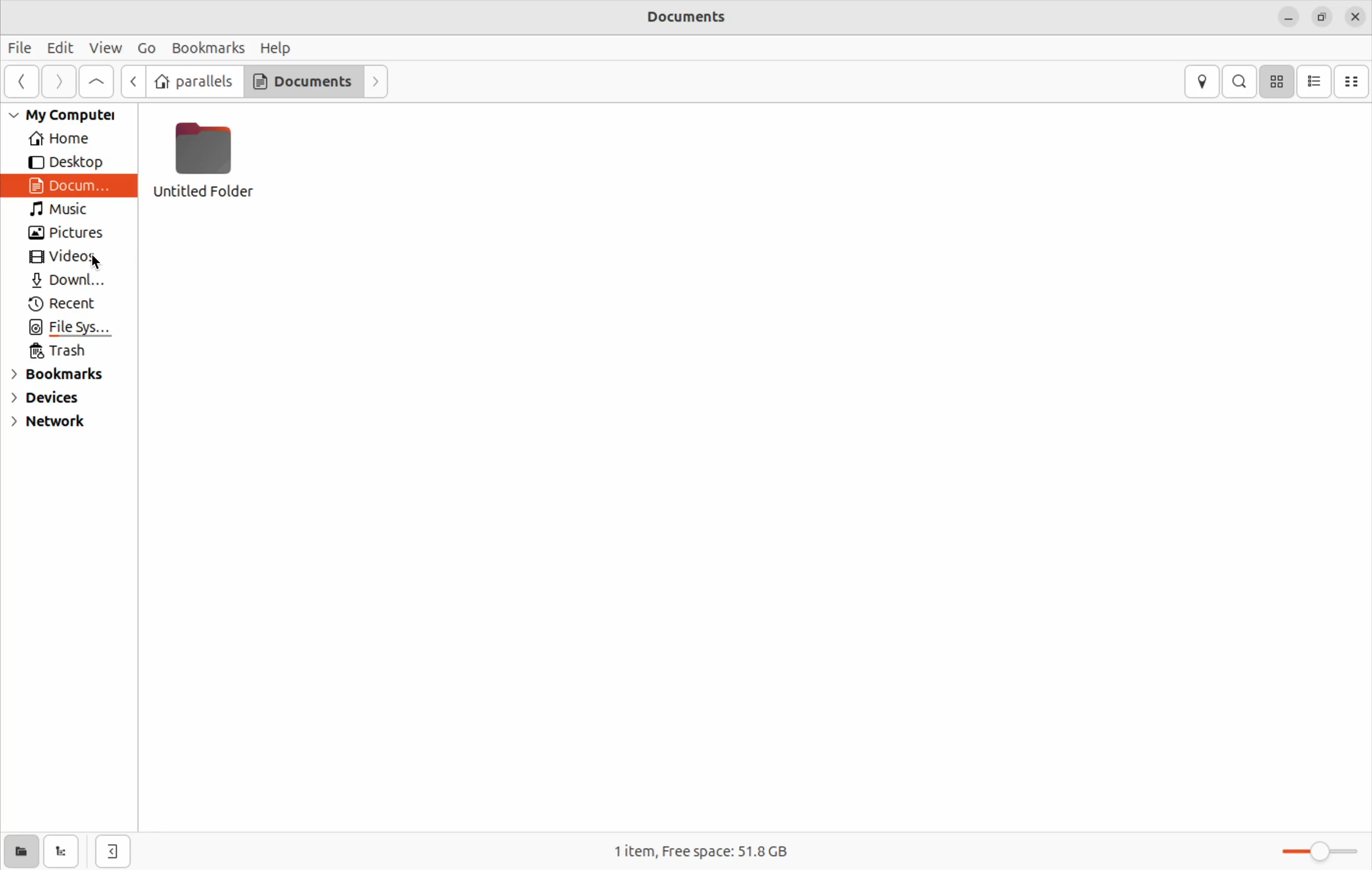  I want to click on search bar, so click(1239, 80).